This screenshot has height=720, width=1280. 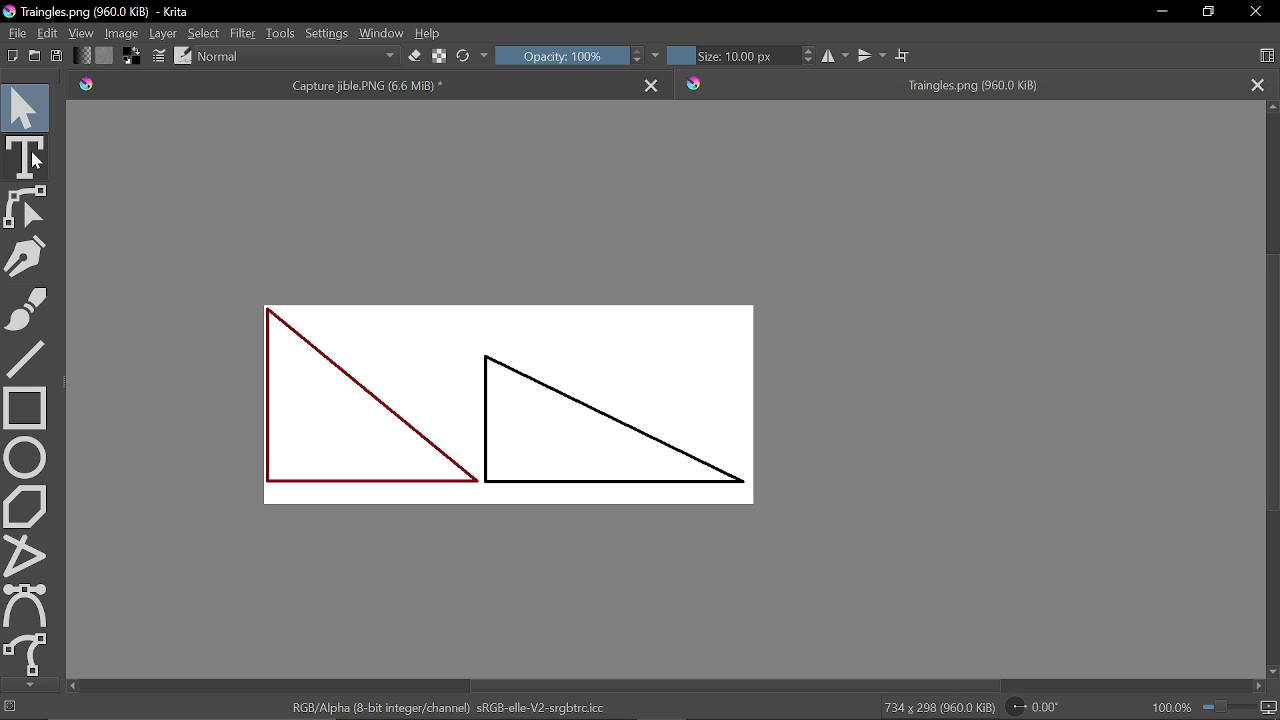 I want to click on Move tool, so click(x=26, y=106).